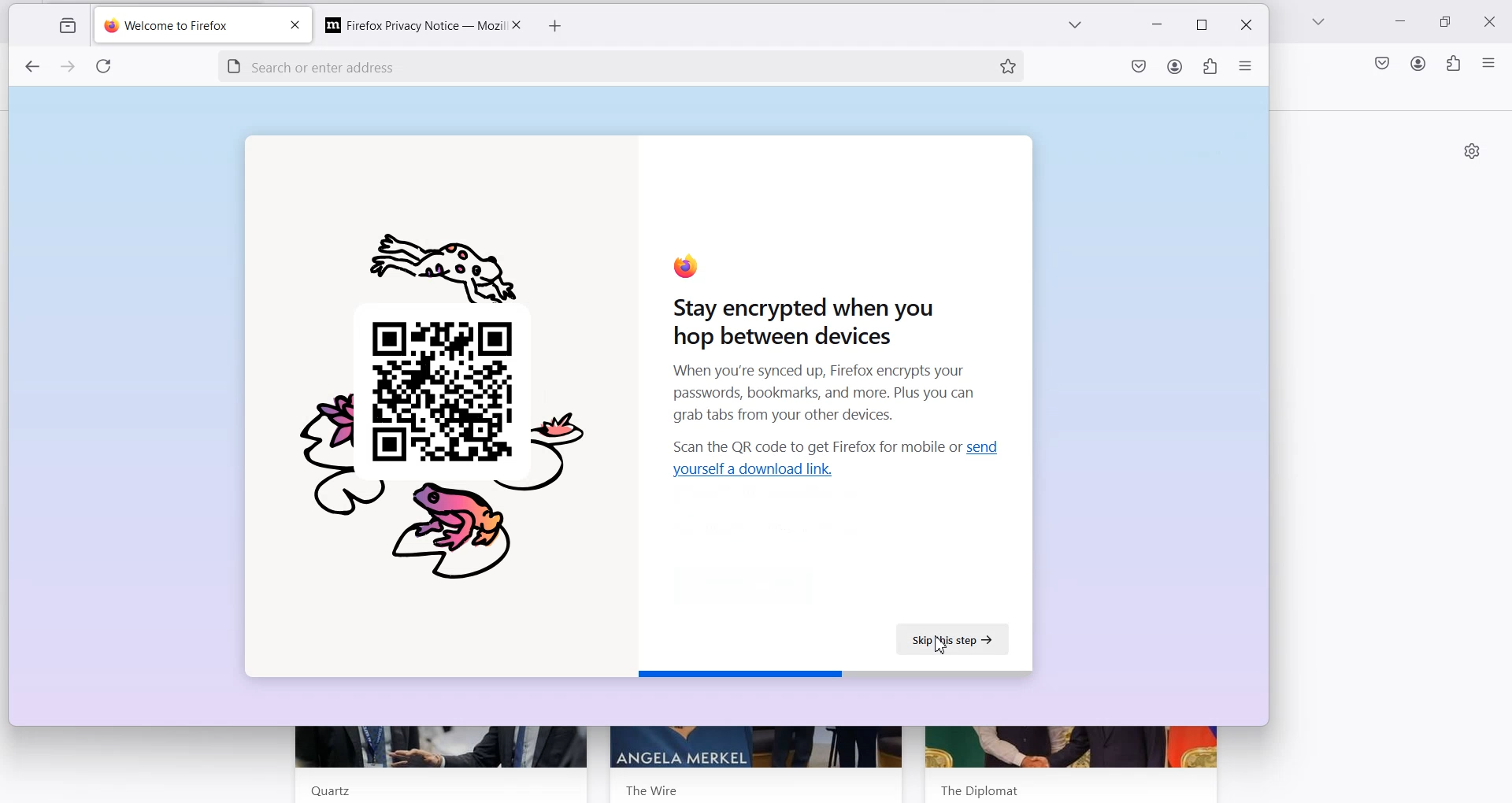 The width and height of the screenshot is (1512, 803). I want to click on list of all tabs, so click(1073, 28).